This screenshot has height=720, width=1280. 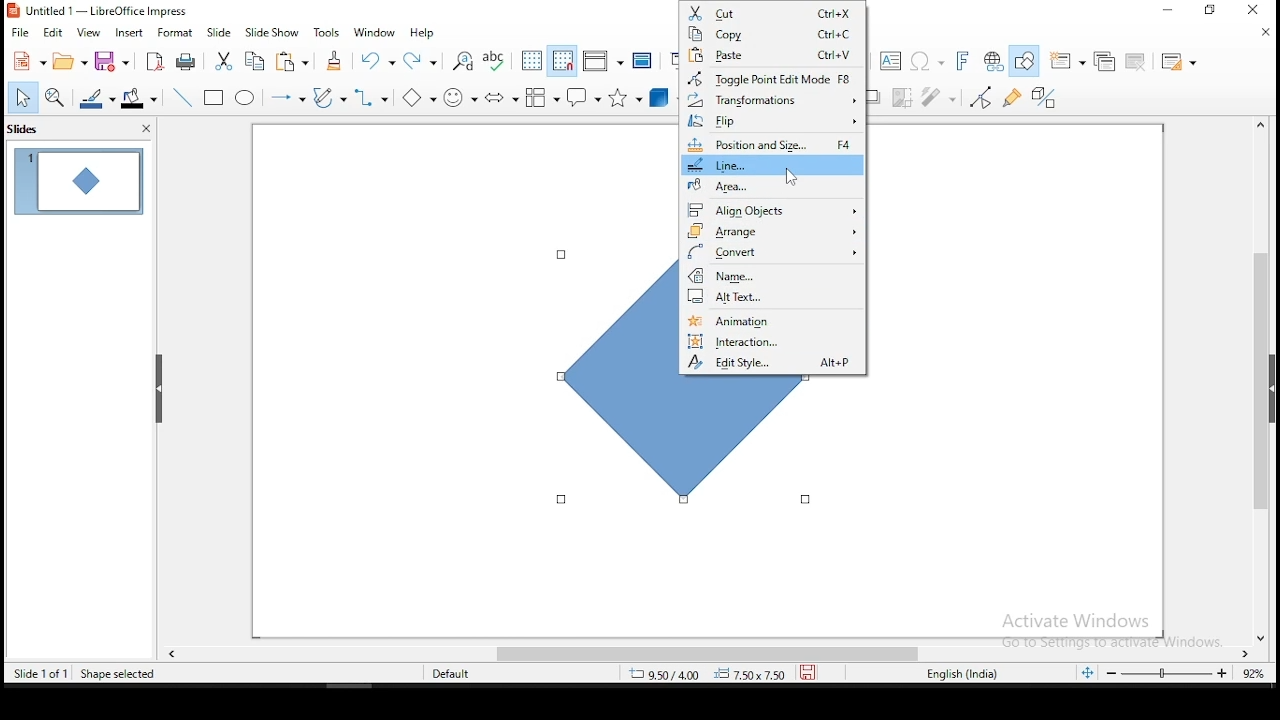 What do you see at coordinates (1169, 11) in the screenshot?
I see `minimize` at bounding box center [1169, 11].